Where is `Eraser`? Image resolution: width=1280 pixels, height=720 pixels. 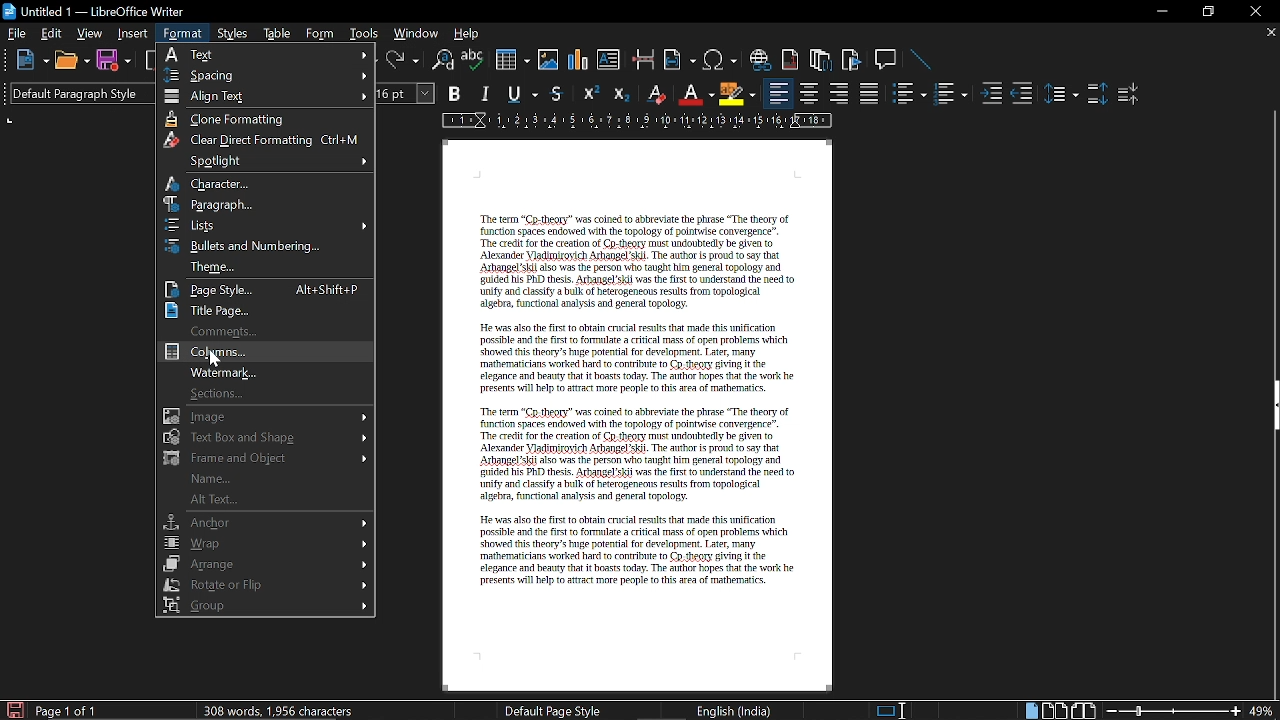 Eraser is located at coordinates (654, 94).